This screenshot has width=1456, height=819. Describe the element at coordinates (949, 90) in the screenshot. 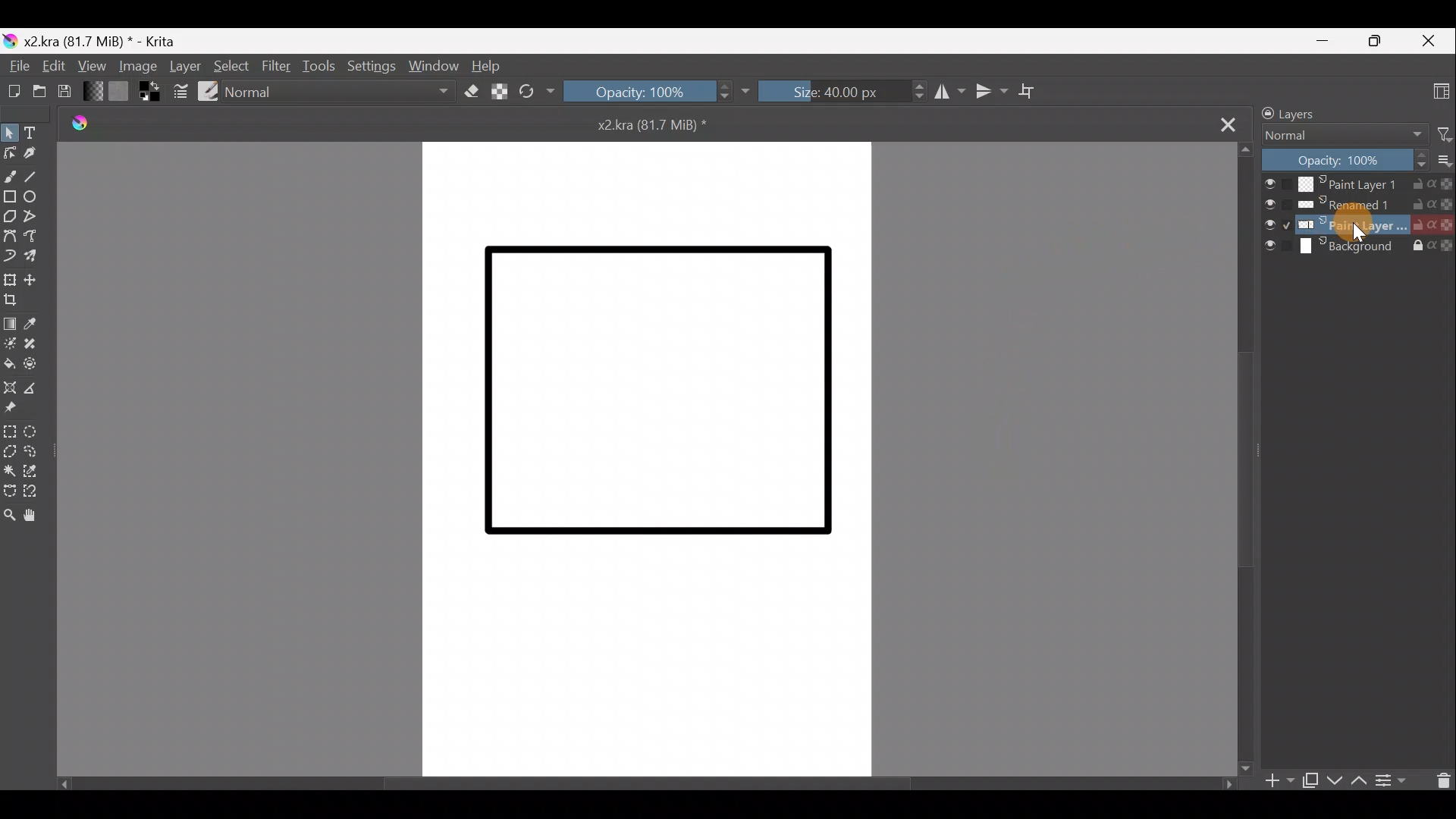

I see `Horizontal mirror tool` at that location.